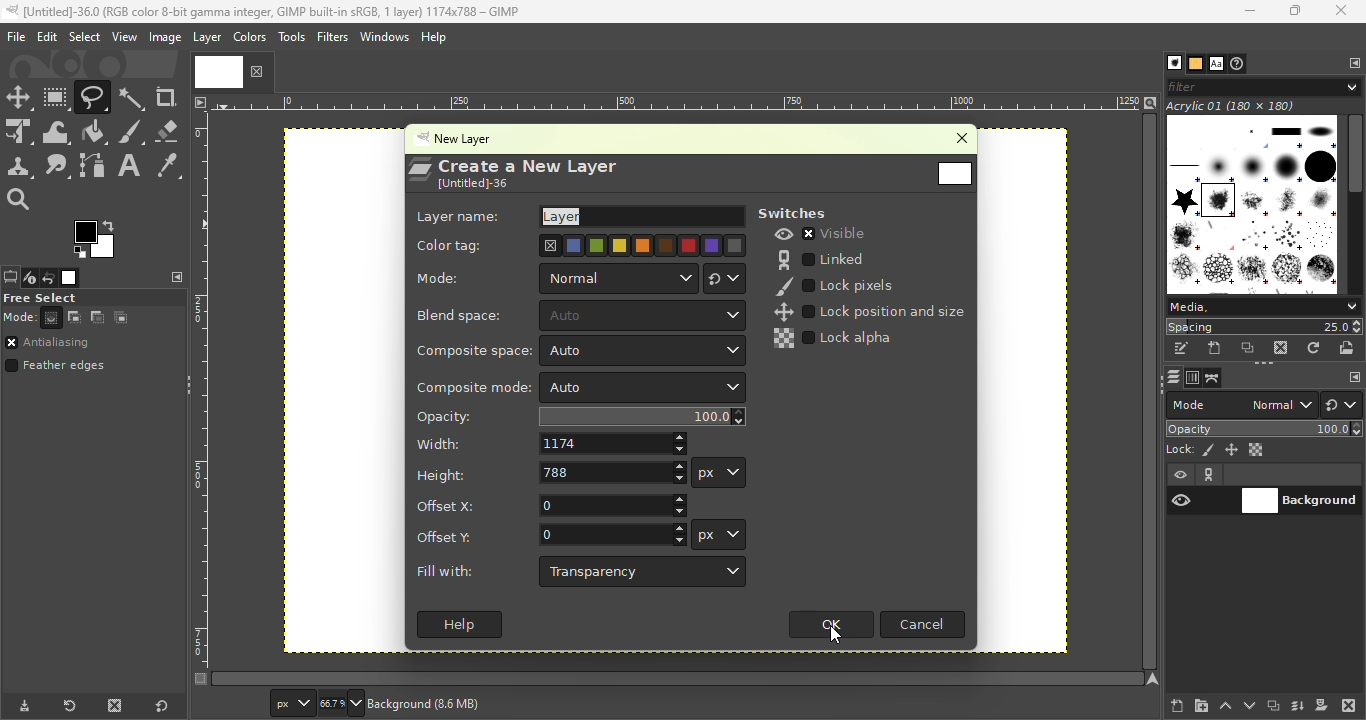 Image resolution: width=1366 pixels, height=720 pixels. Describe the element at coordinates (1240, 405) in the screenshot. I see `Mode` at that location.